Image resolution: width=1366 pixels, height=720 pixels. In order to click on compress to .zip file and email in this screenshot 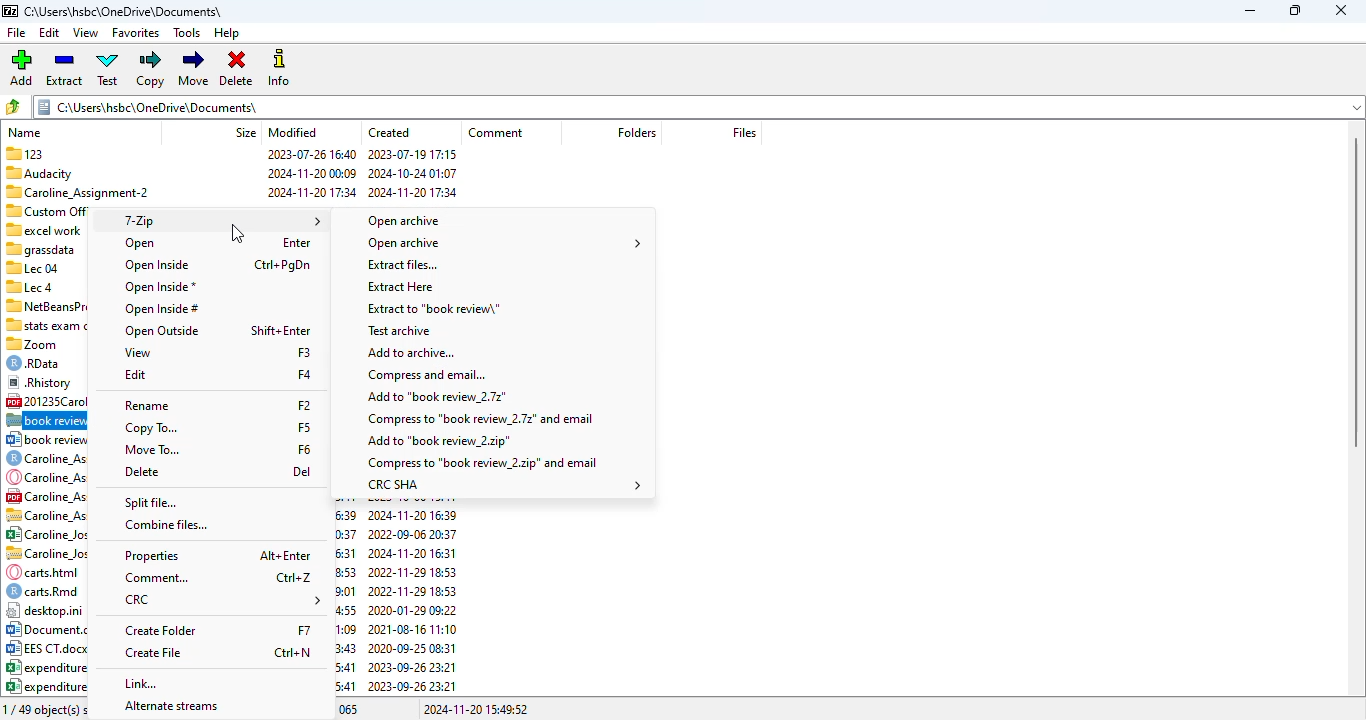, I will do `click(482, 463)`.